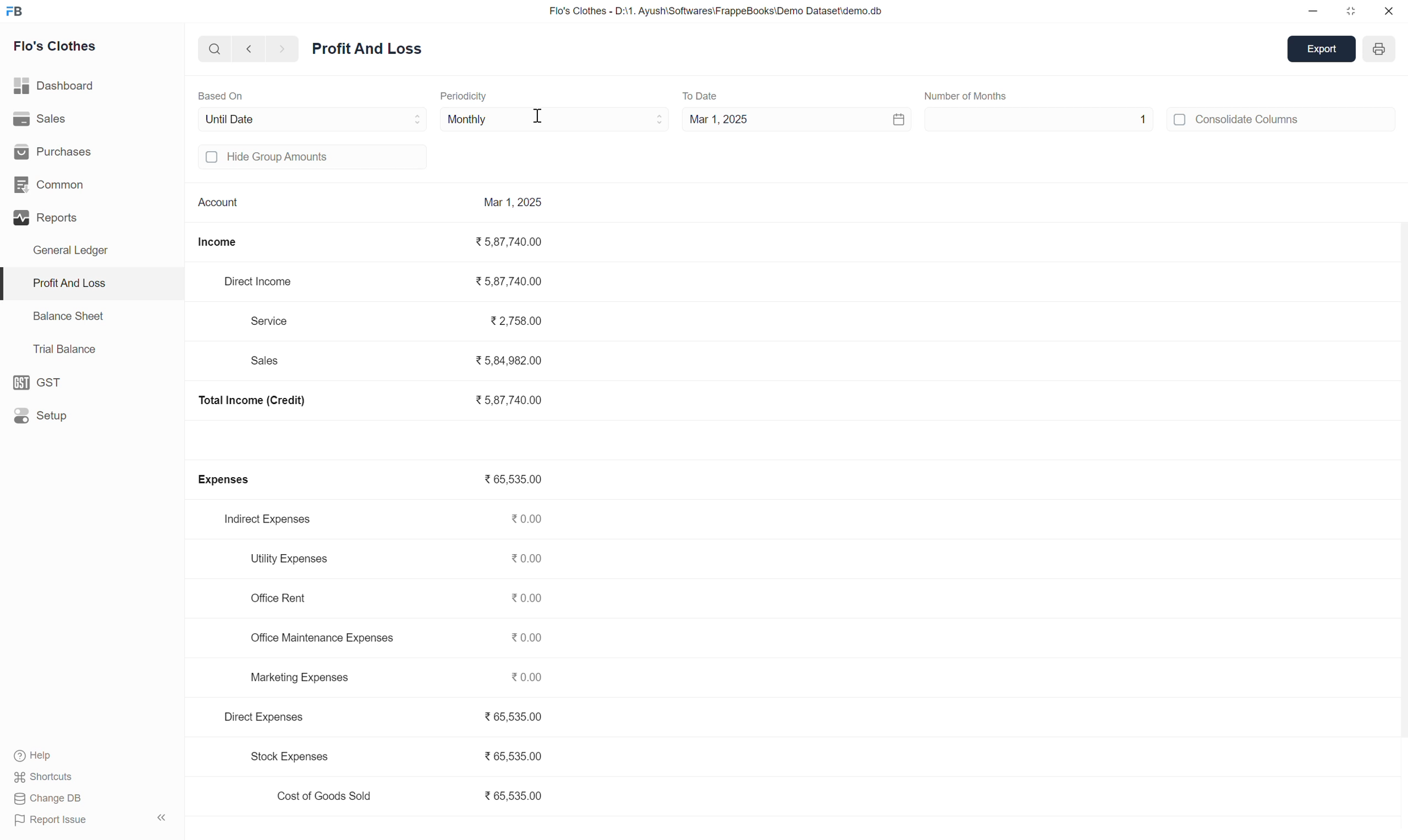  I want to click on close, so click(1389, 11).